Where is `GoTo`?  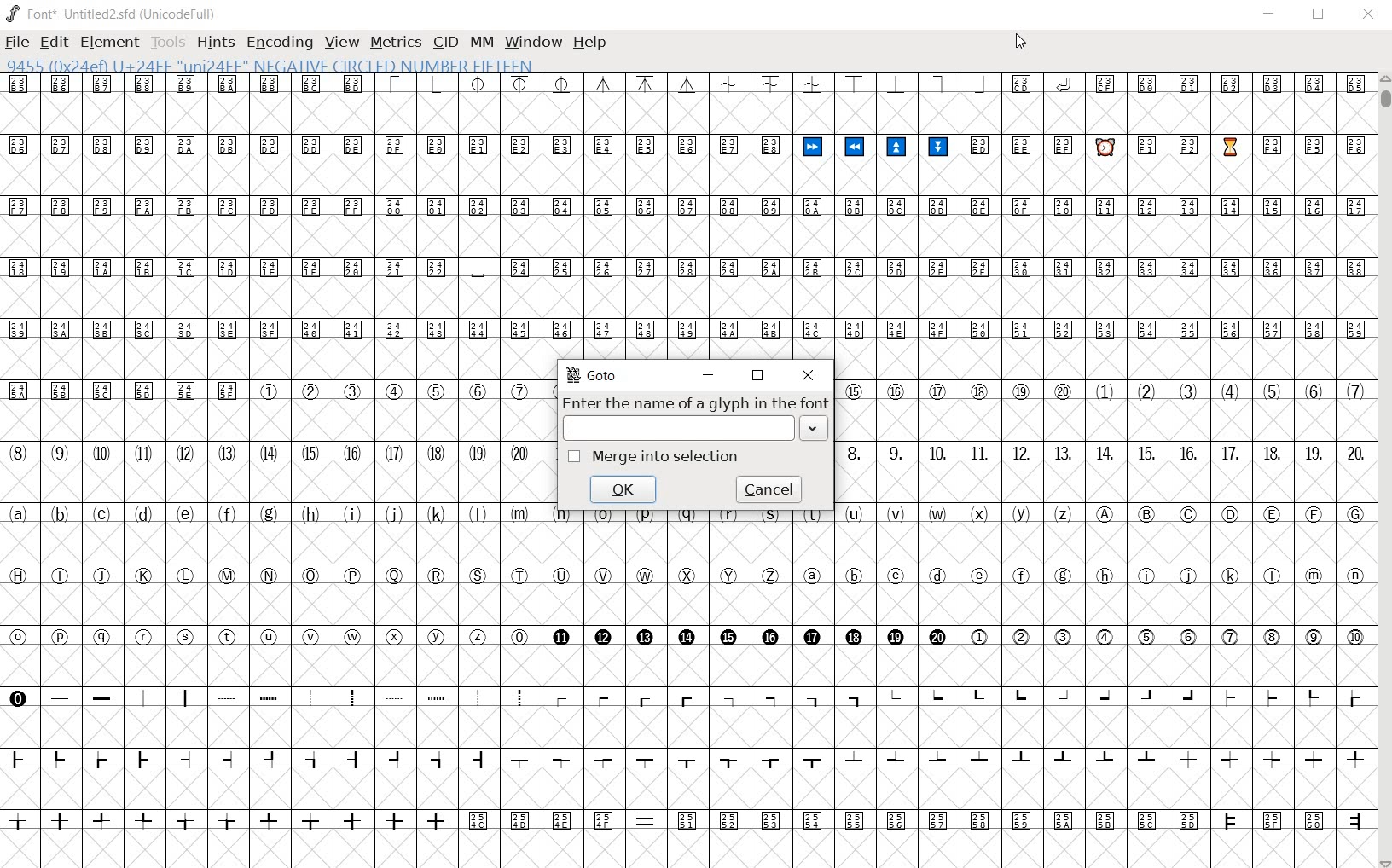 GoTo is located at coordinates (589, 376).